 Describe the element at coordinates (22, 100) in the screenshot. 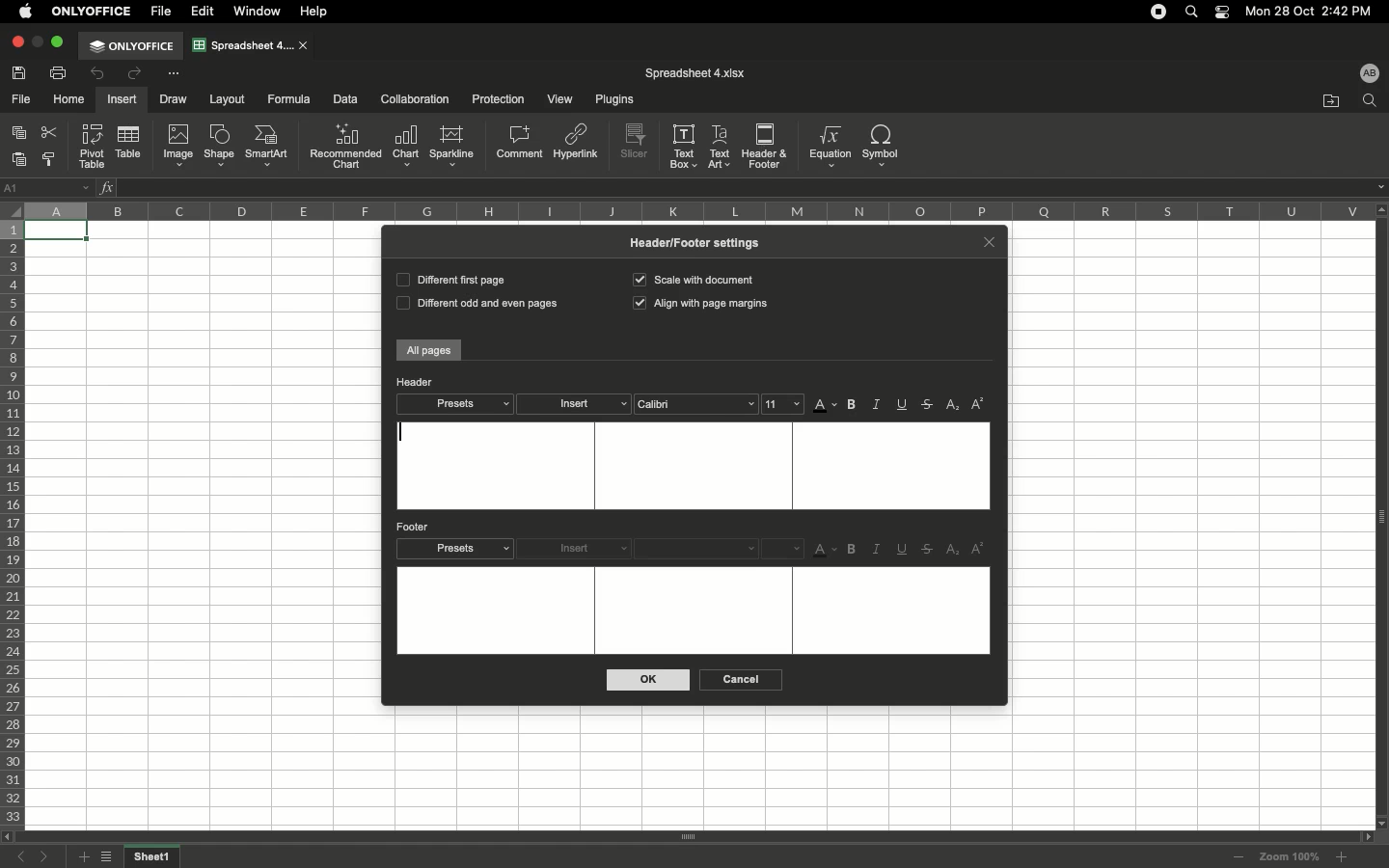

I see `File` at that location.